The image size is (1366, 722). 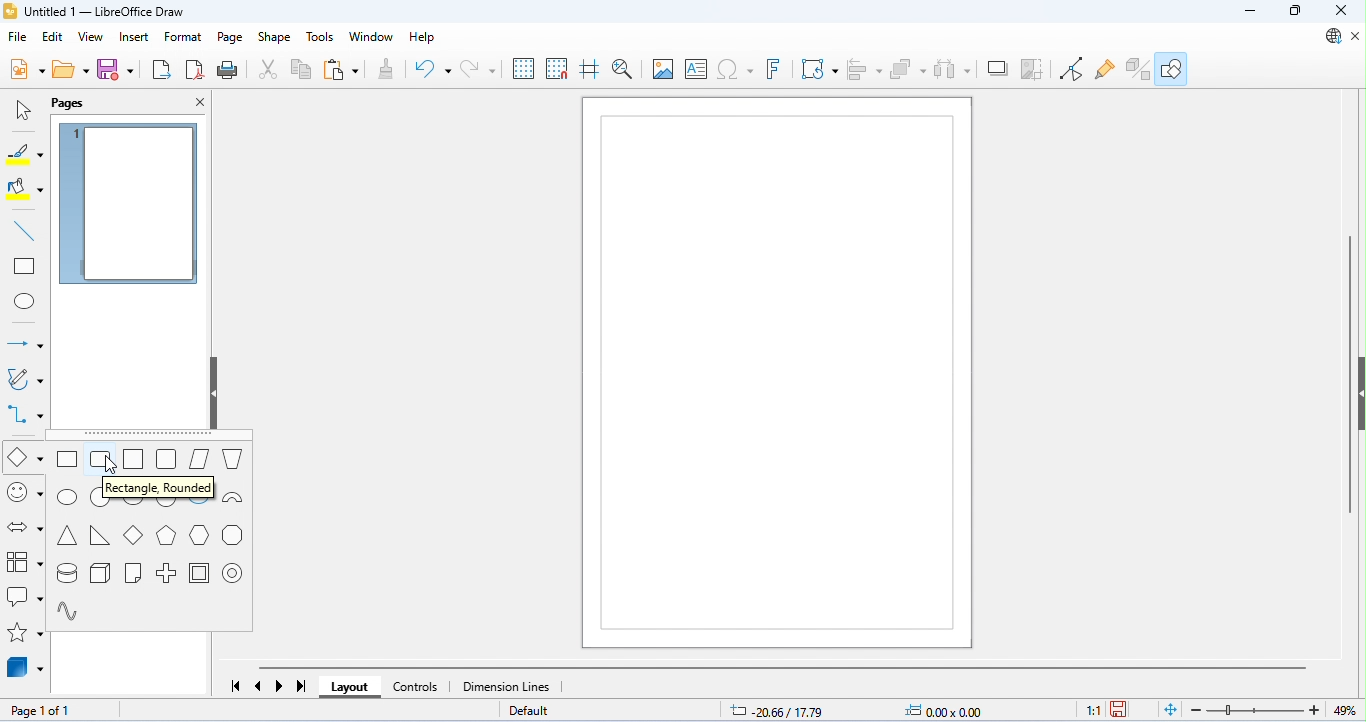 What do you see at coordinates (67, 495) in the screenshot?
I see `ellipse` at bounding box center [67, 495].